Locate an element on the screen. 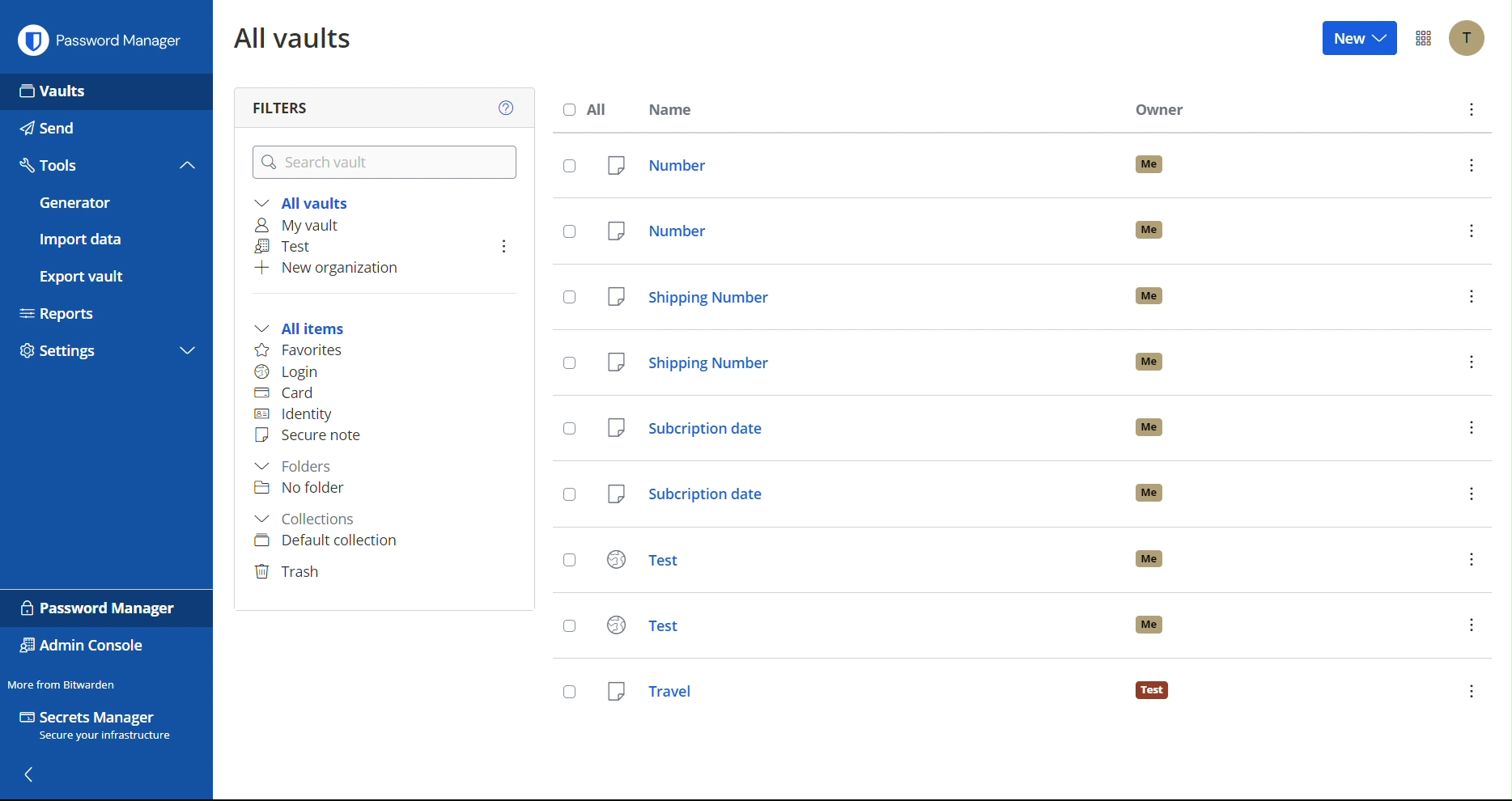 The width and height of the screenshot is (1512, 801). Identity is located at coordinates (295, 414).